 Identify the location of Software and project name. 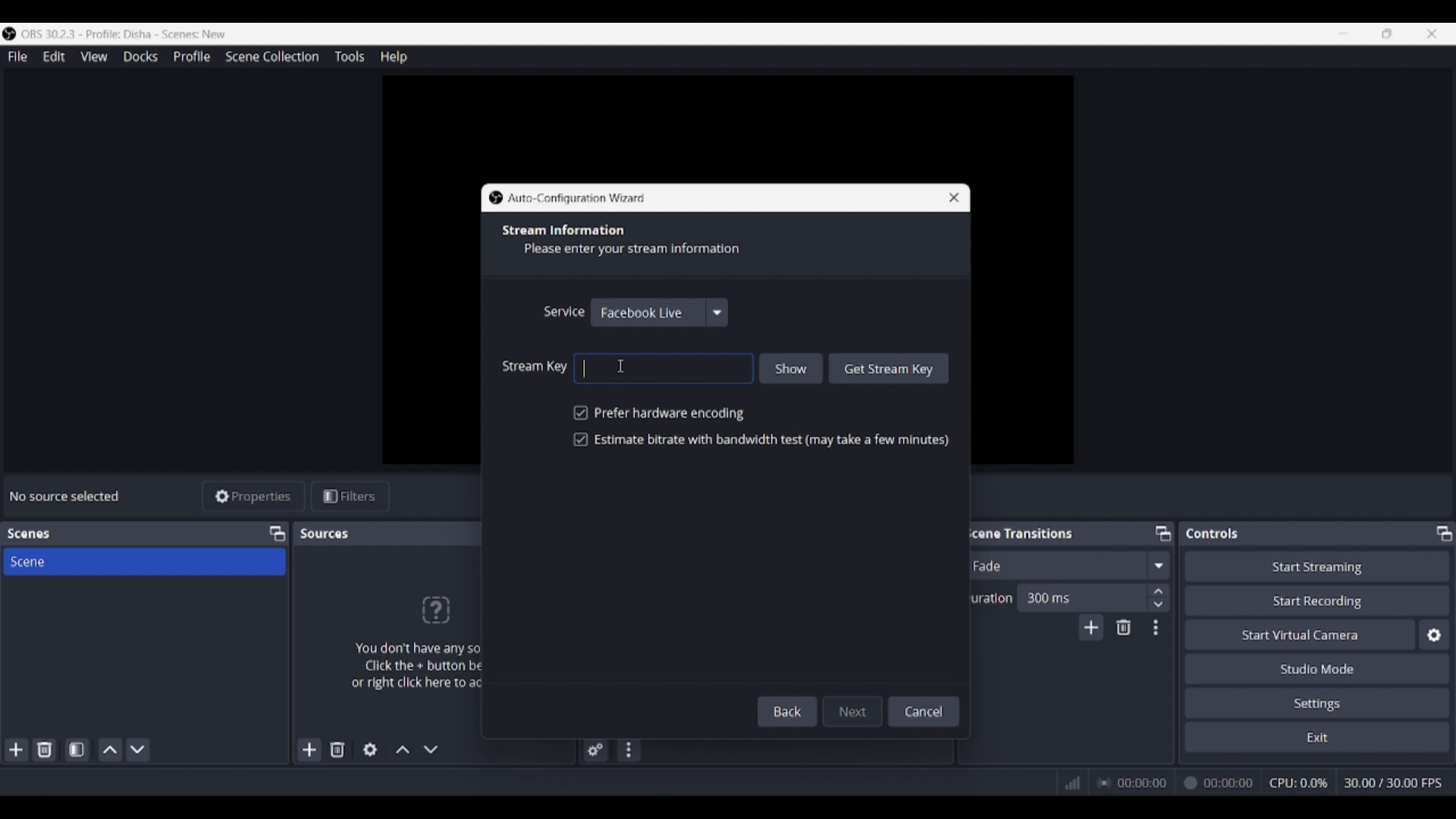
(130, 34).